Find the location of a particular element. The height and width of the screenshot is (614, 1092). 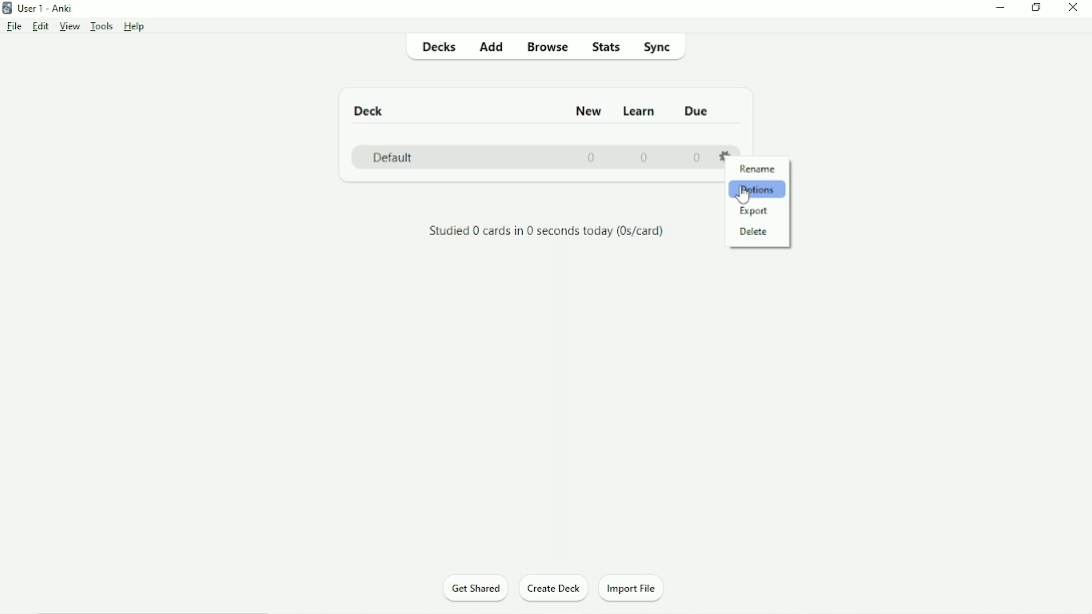

Get Shared is located at coordinates (476, 589).